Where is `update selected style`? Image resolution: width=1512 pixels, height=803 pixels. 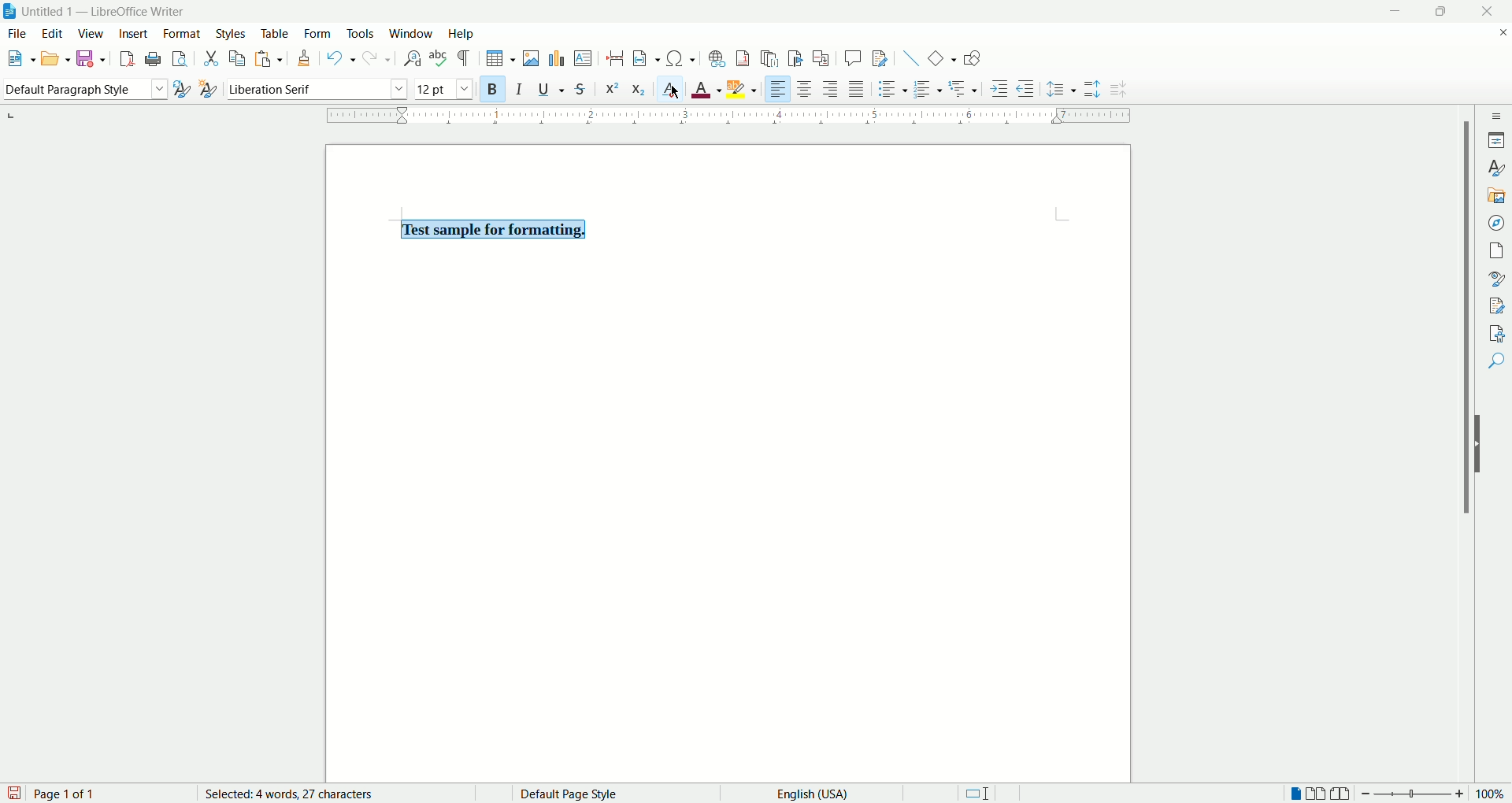
update selected style is located at coordinates (181, 87).